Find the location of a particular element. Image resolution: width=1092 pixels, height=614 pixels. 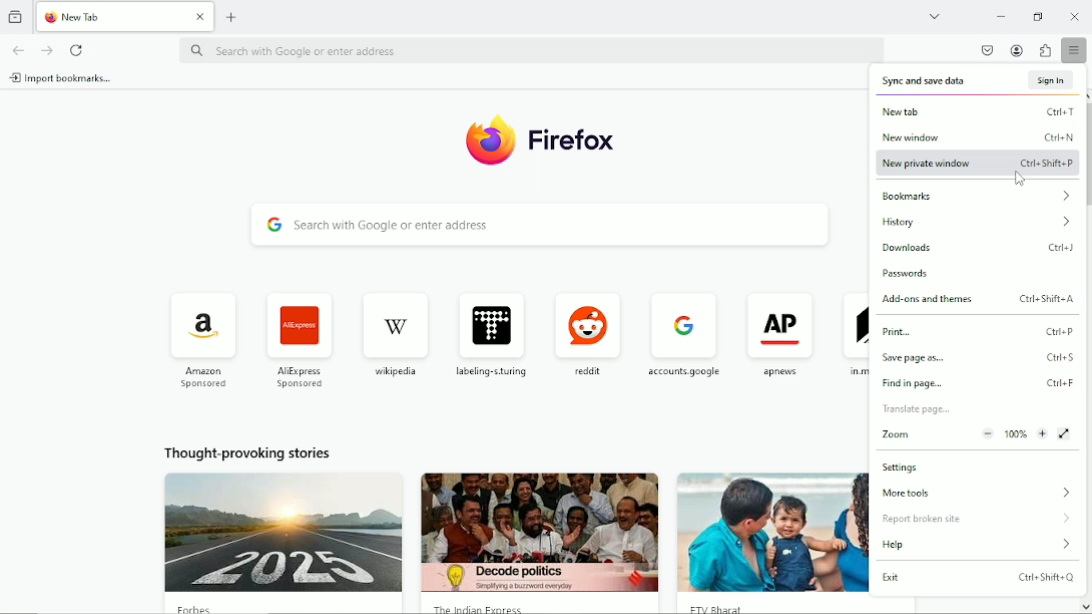

go forward is located at coordinates (47, 49).